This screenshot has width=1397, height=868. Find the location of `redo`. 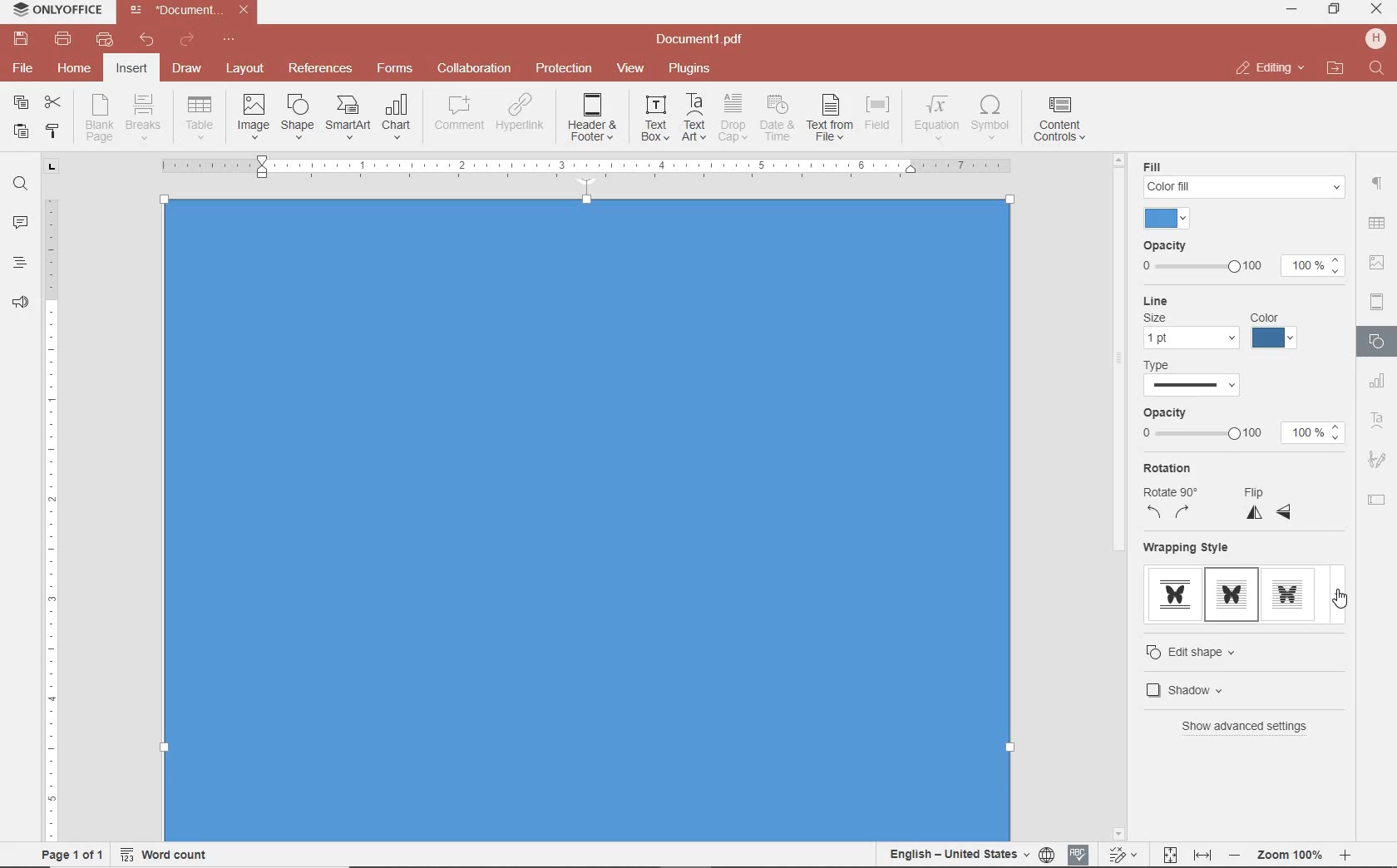

redo is located at coordinates (185, 42).